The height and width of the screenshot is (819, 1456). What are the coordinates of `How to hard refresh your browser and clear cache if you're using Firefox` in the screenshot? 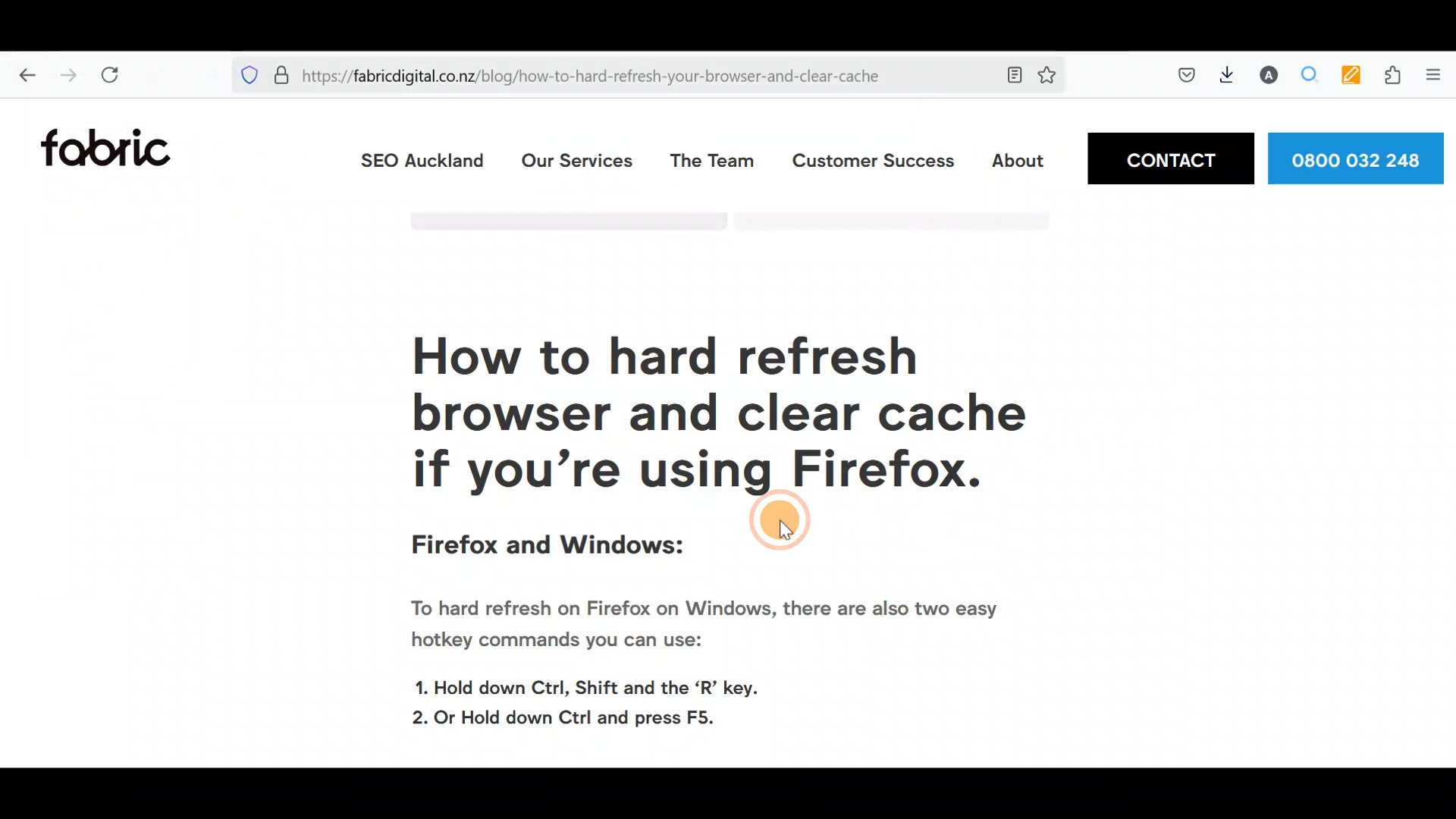 It's located at (700, 414).